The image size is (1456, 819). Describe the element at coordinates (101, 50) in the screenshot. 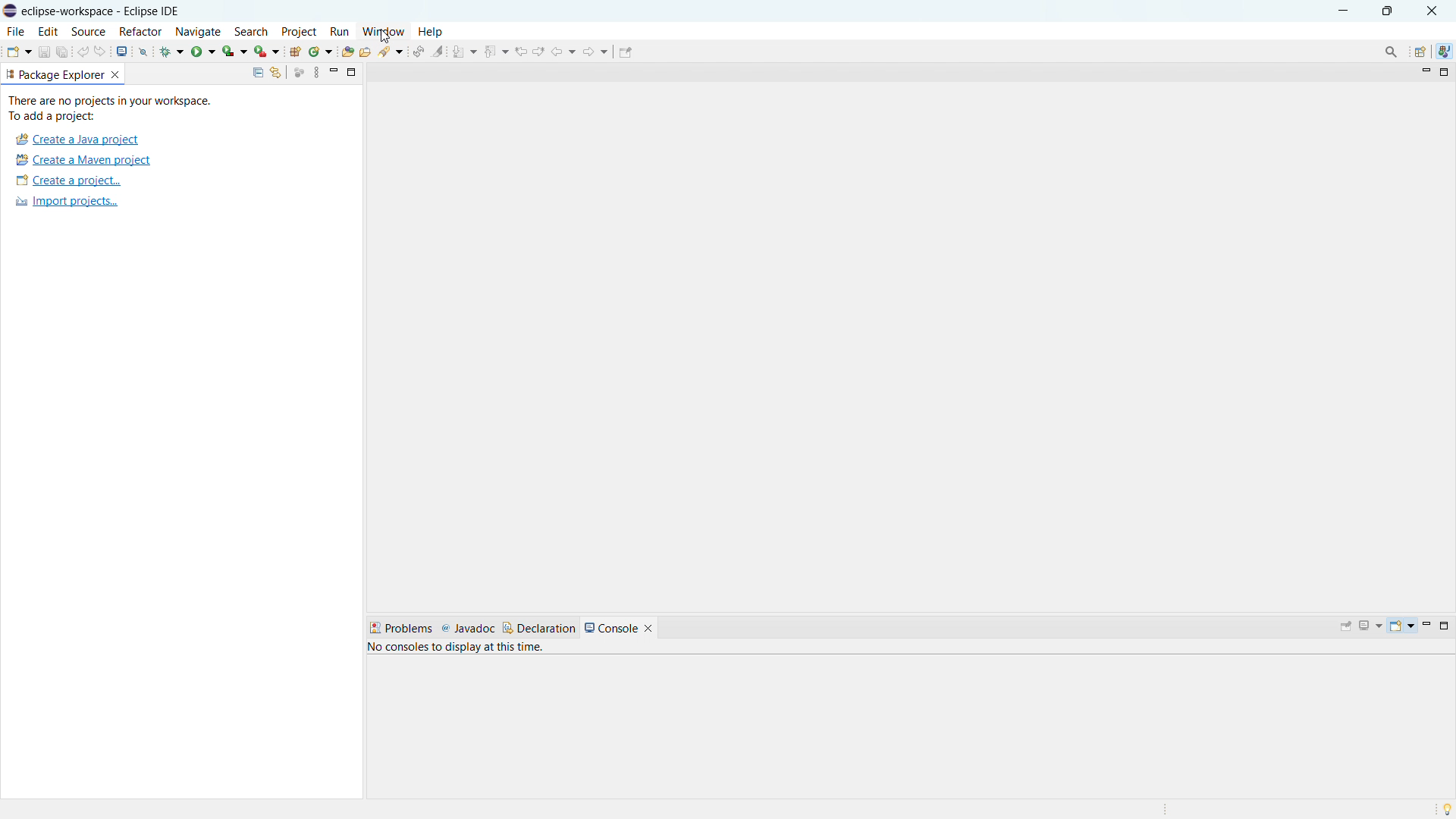

I see `redo` at that location.